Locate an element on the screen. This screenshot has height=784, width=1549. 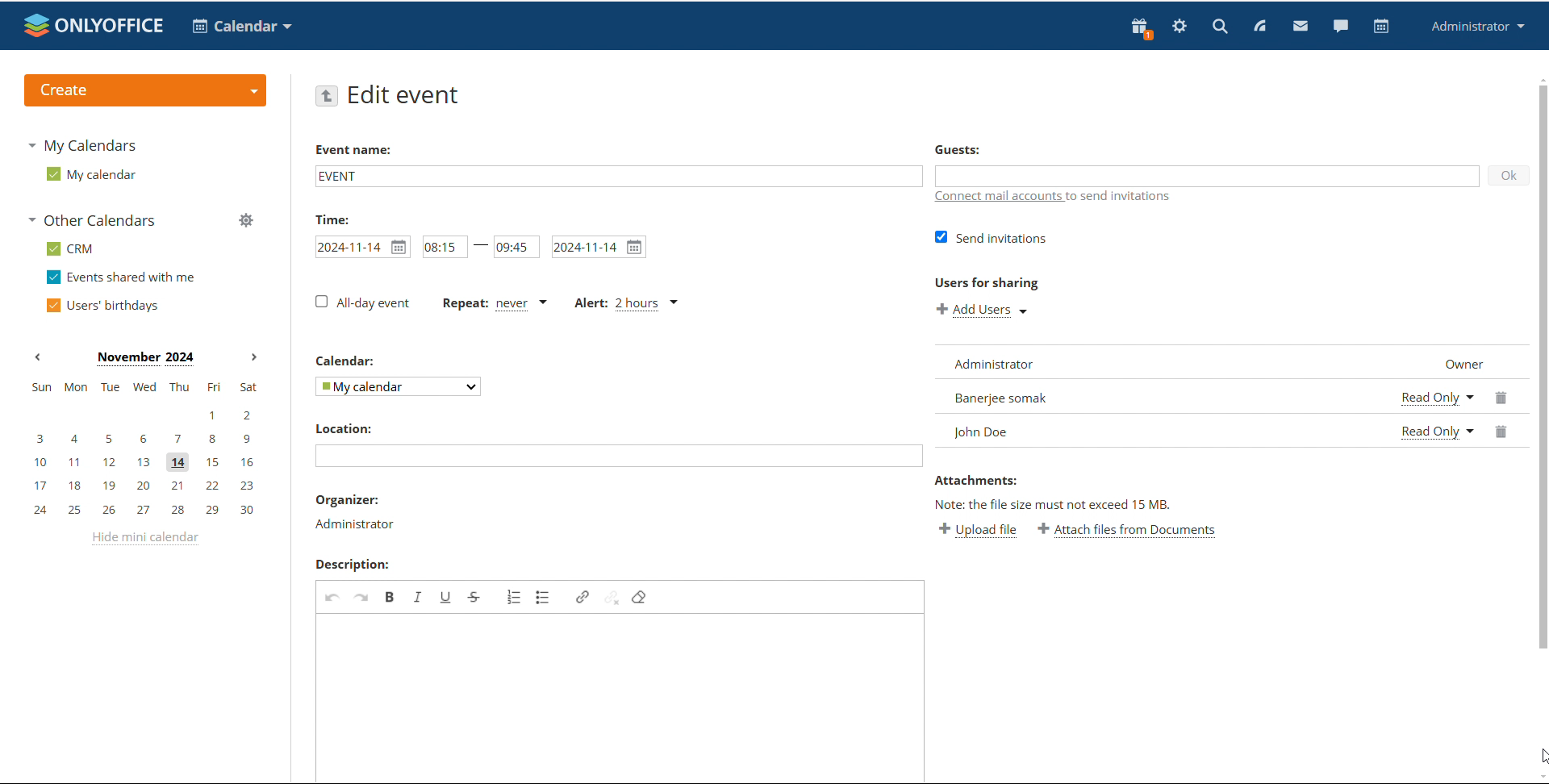
Event name is located at coordinates (353, 149).